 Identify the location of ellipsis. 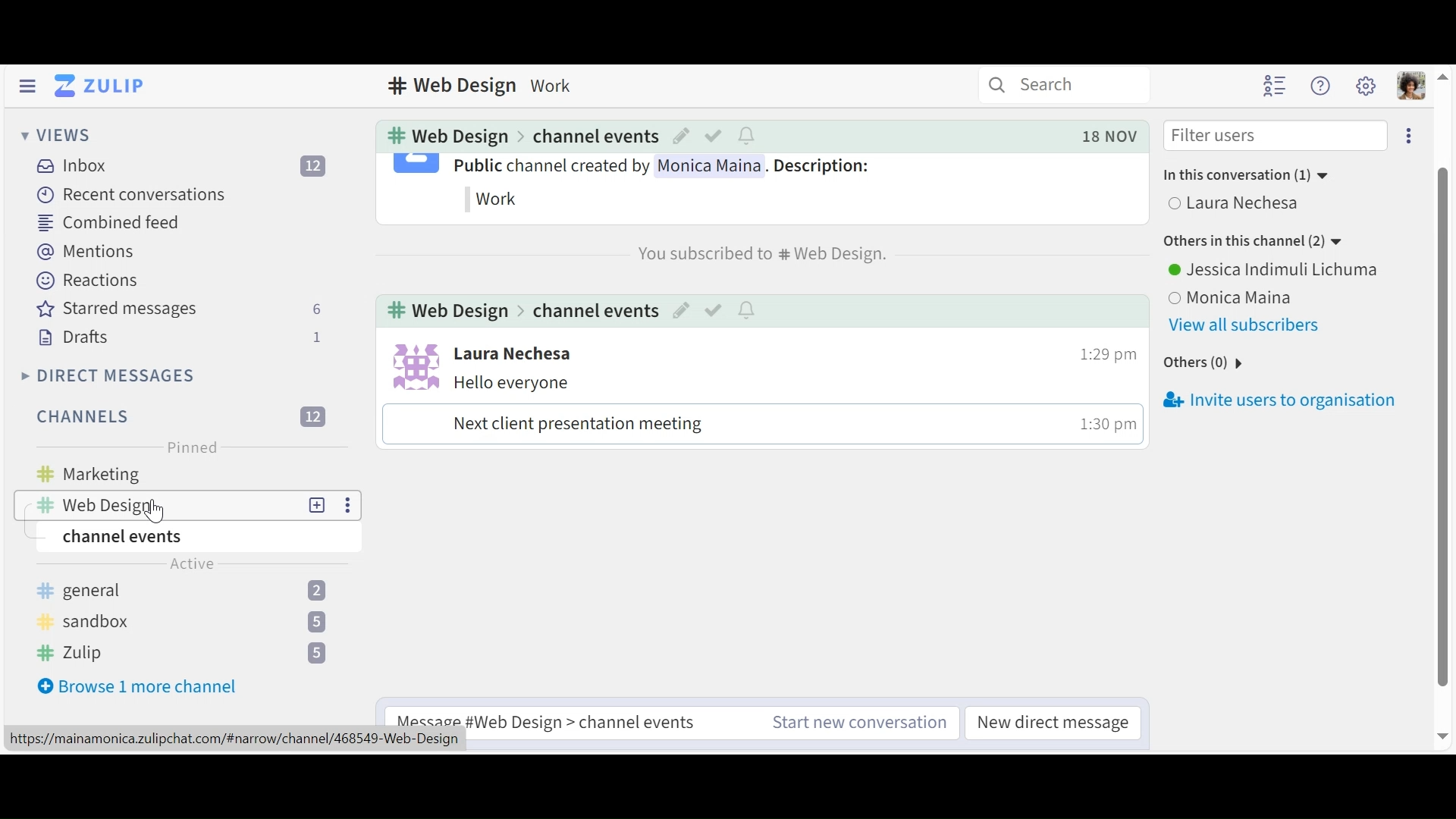
(344, 507).